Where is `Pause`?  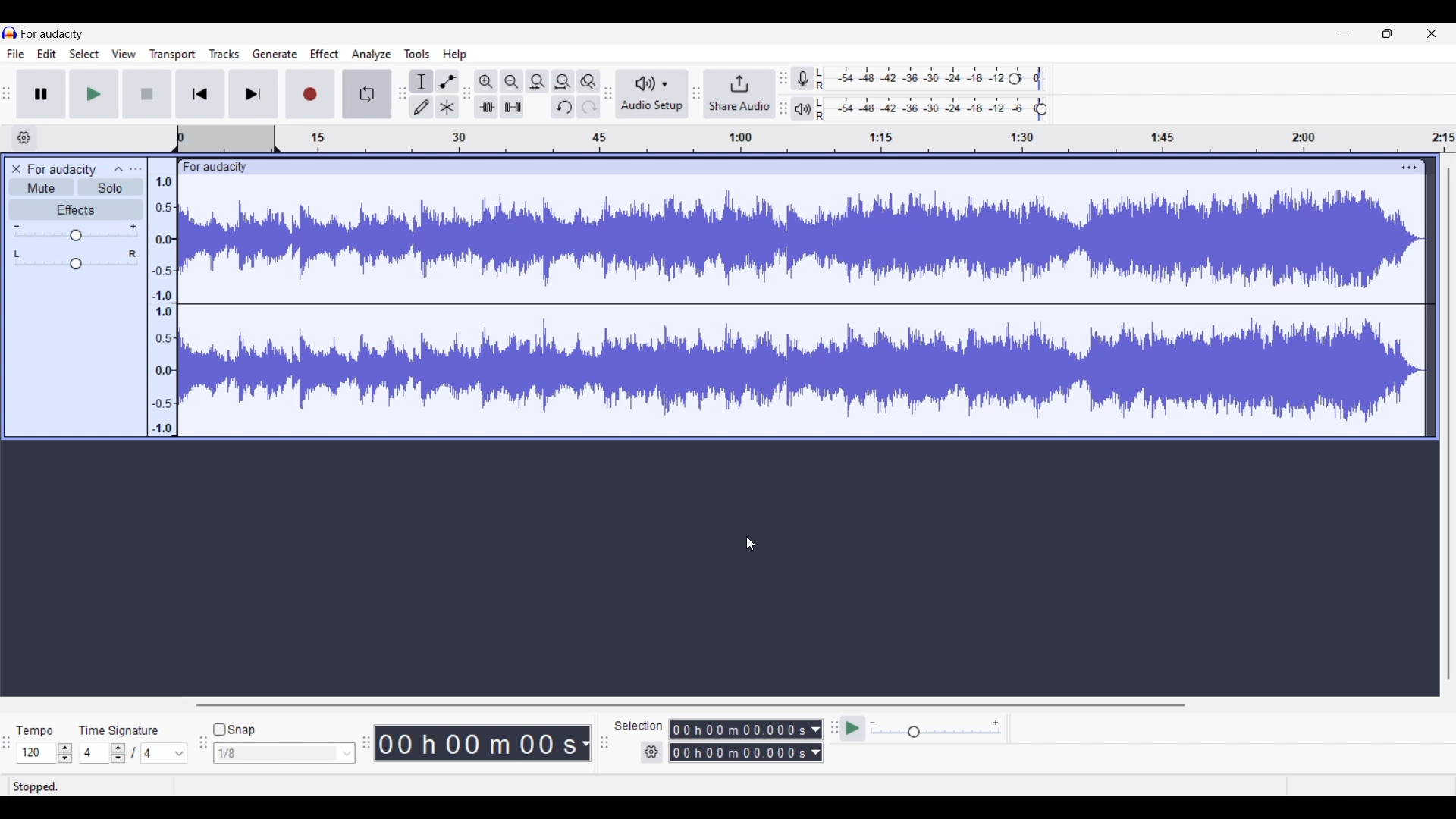
Pause is located at coordinates (45, 94).